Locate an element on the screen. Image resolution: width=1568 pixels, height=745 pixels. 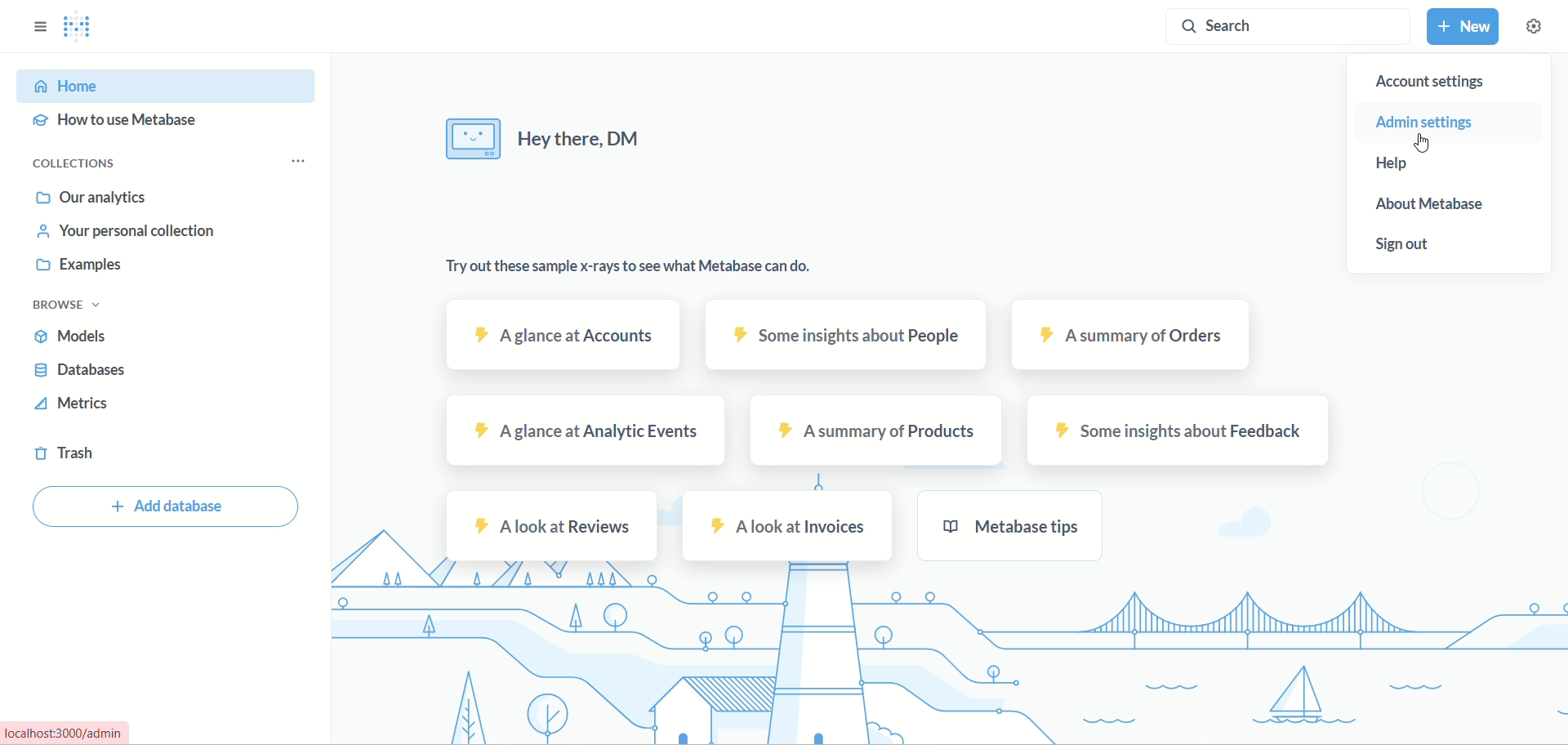
databases is located at coordinates (82, 370).